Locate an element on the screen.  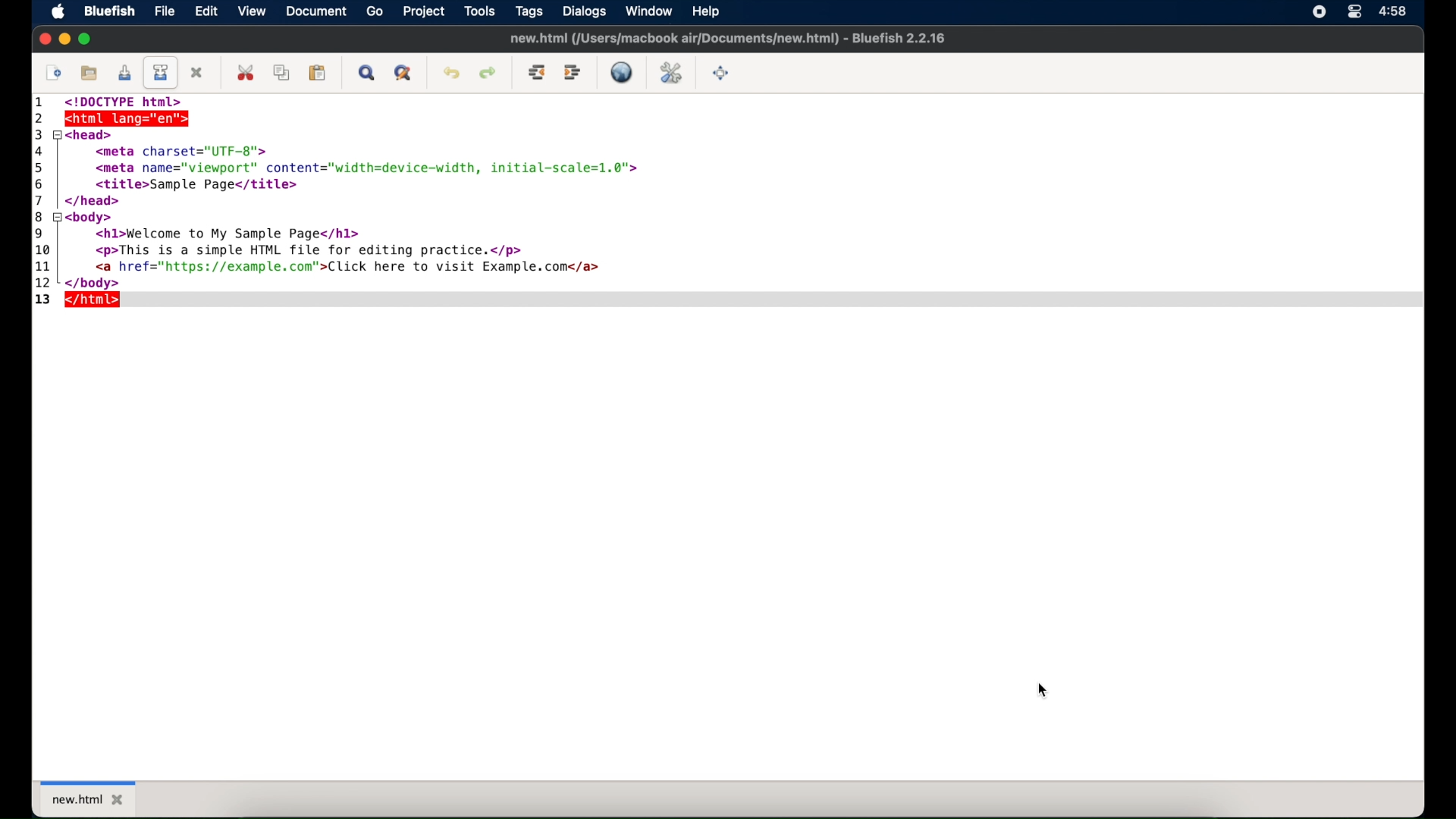
copy is located at coordinates (284, 73).